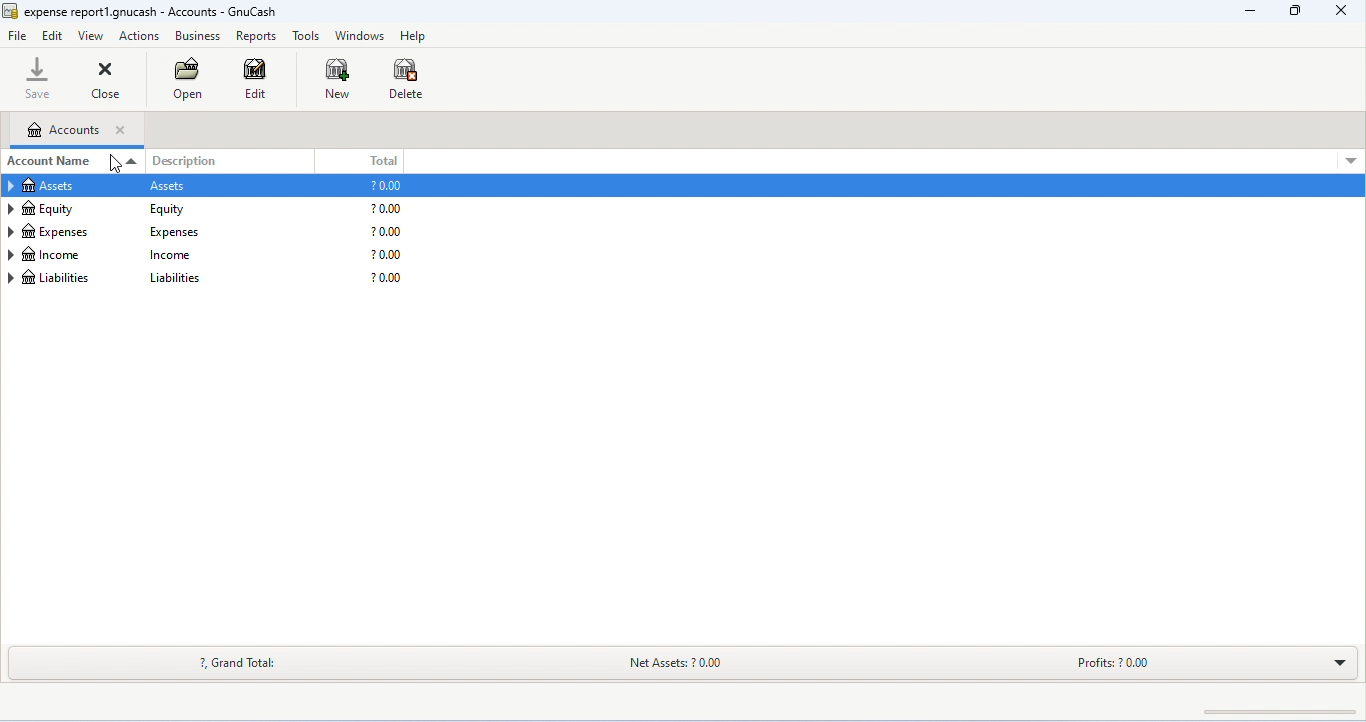 Image resolution: width=1366 pixels, height=722 pixels. What do you see at coordinates (65, 129) in the screenshot?
I see `accounts` at bounding box center [65, 129].